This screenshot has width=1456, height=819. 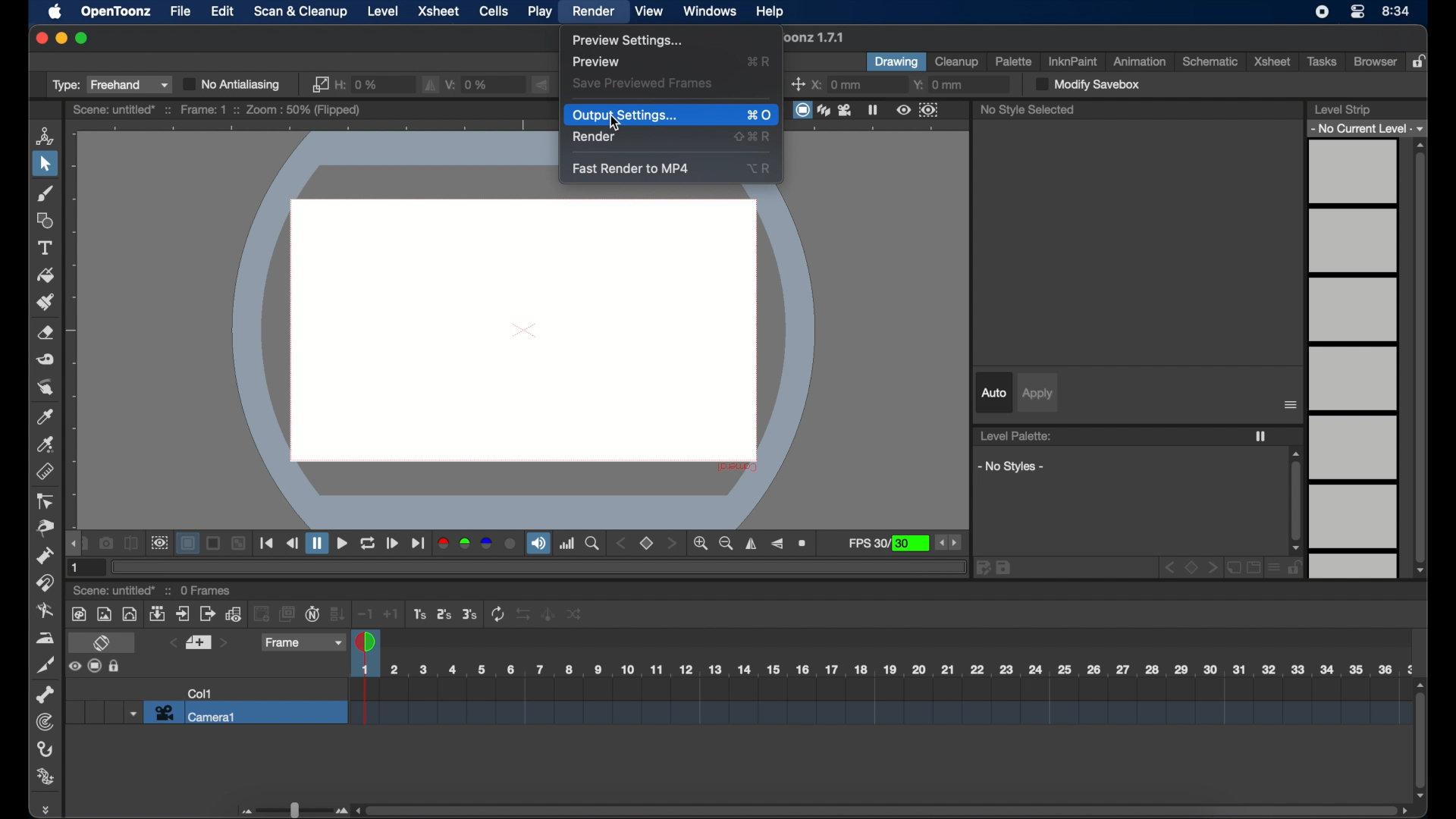 I want to click on v, so click(x=469, y=83).